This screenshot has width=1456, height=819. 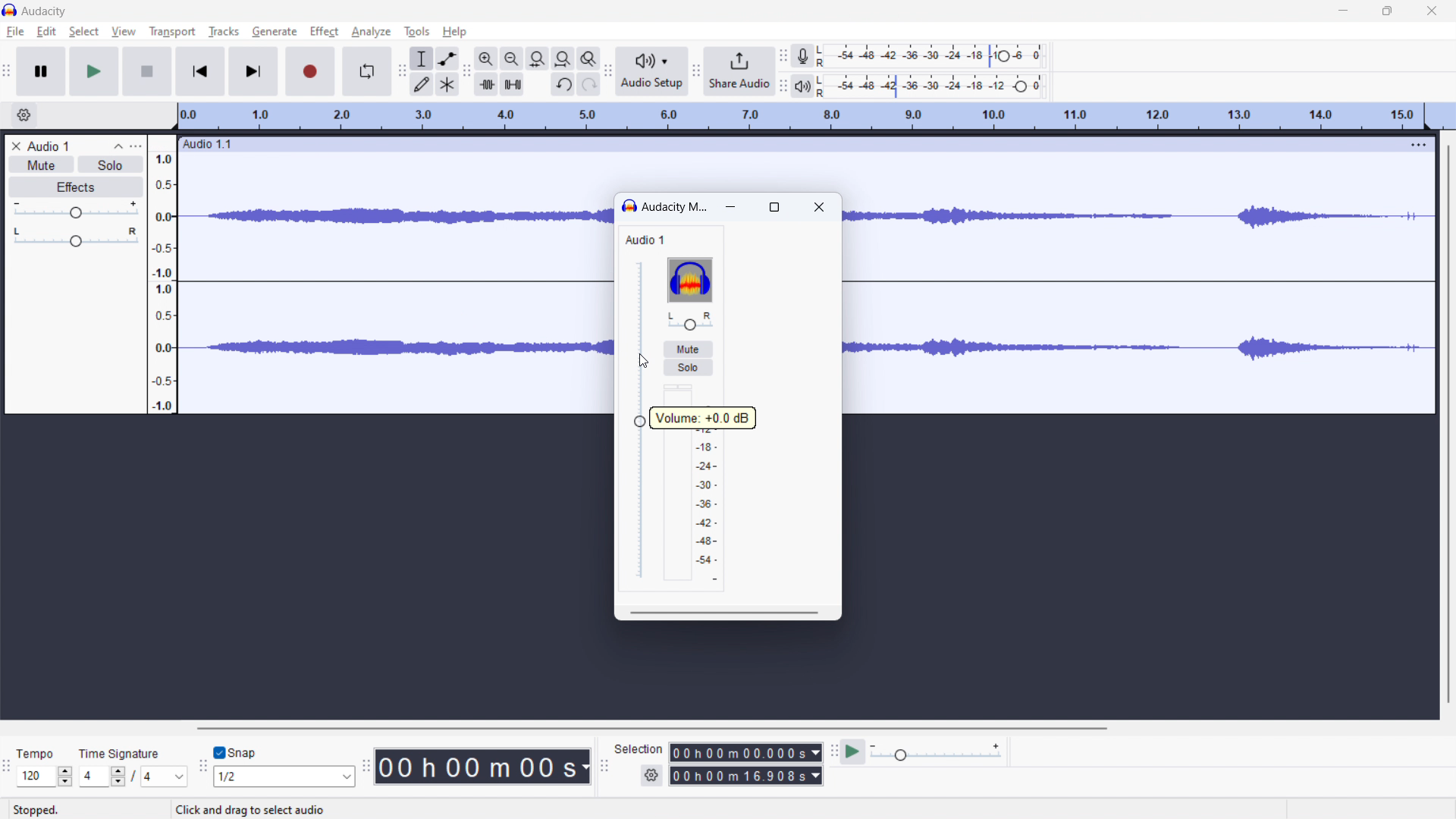 What do you see at coordinates (41, 71) in the screenshot?
I see `pause` at bounding box center [41, 71].